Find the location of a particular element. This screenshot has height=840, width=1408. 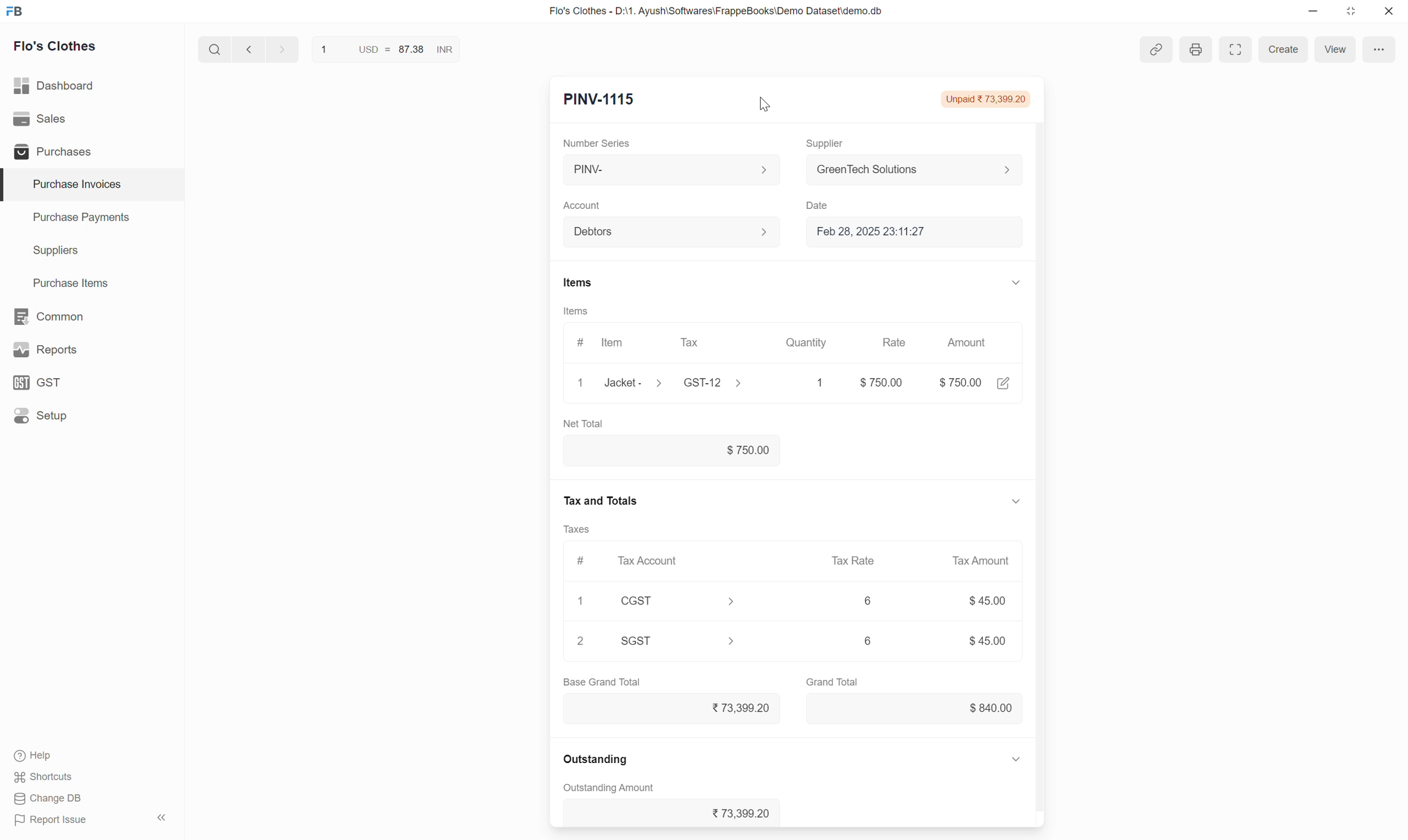

Collapse is located at coordinates (1016, 759).